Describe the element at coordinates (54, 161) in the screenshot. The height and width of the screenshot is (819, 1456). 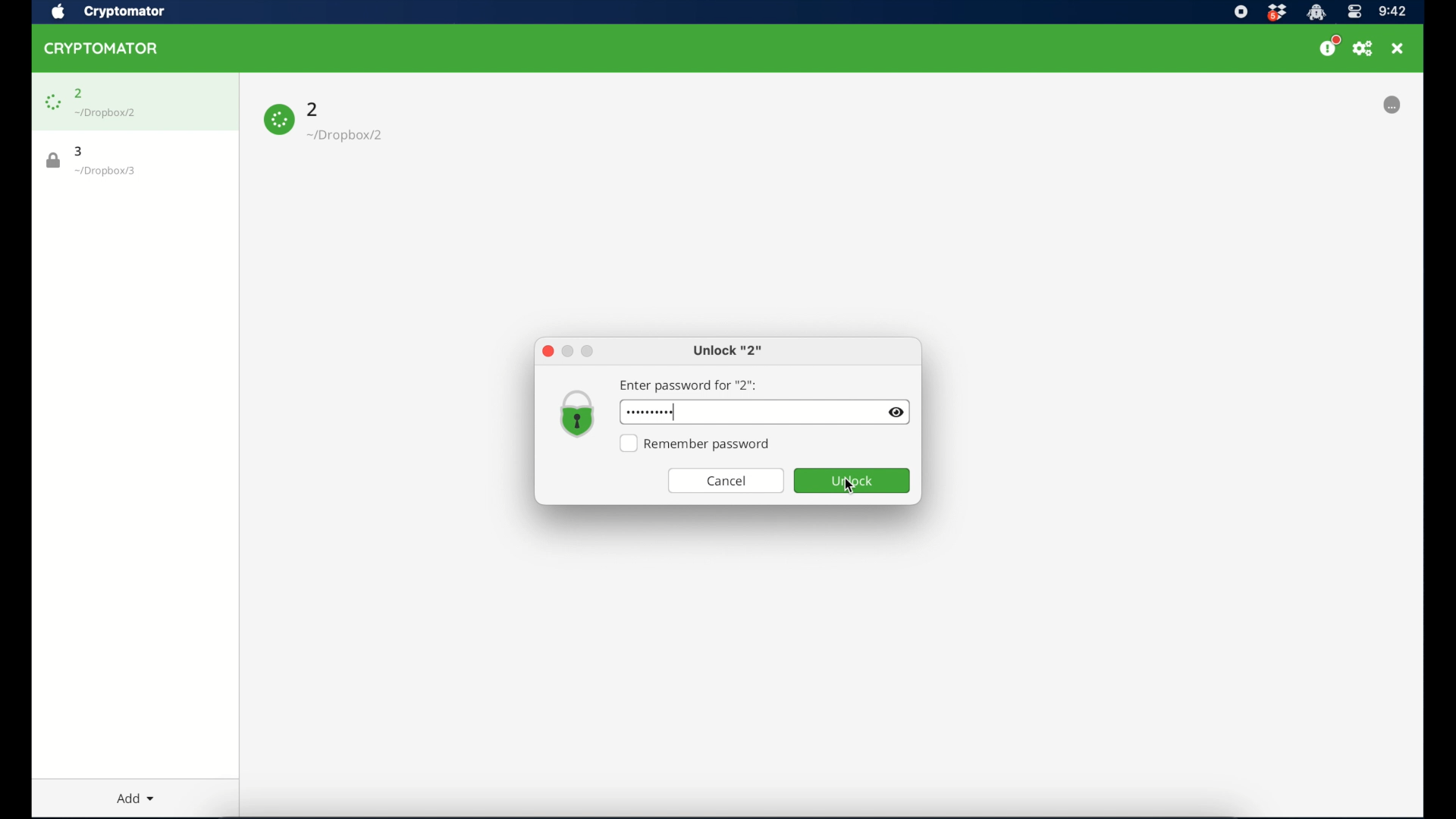
I see `lock icon` at that location.